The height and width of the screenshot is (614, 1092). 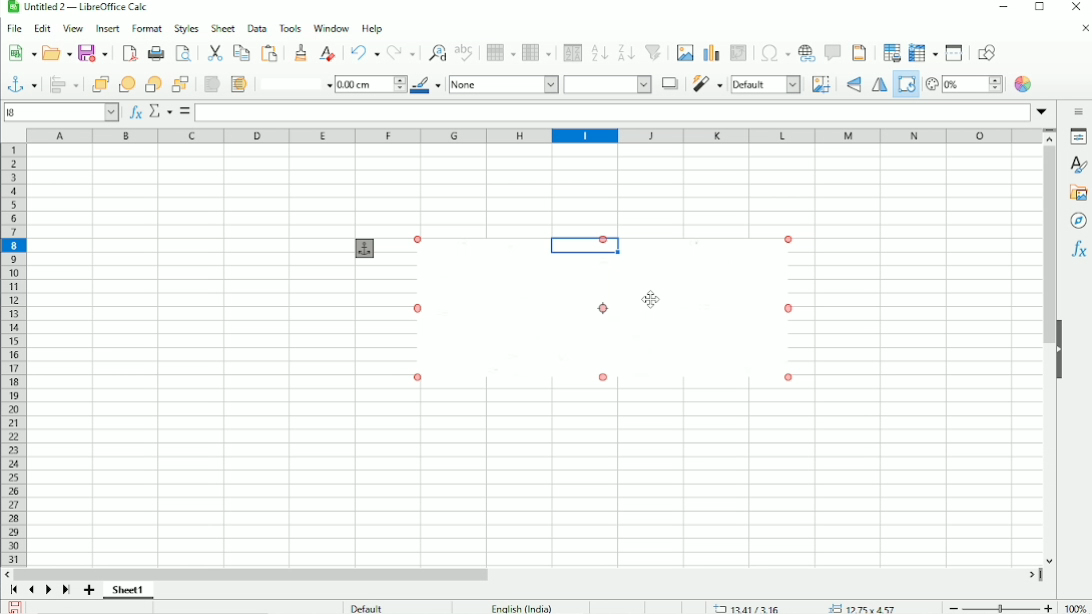 What do you see at coordinates (964, 85) in the screenshot?
I see `Transparency` at bounding box center [964, 85].